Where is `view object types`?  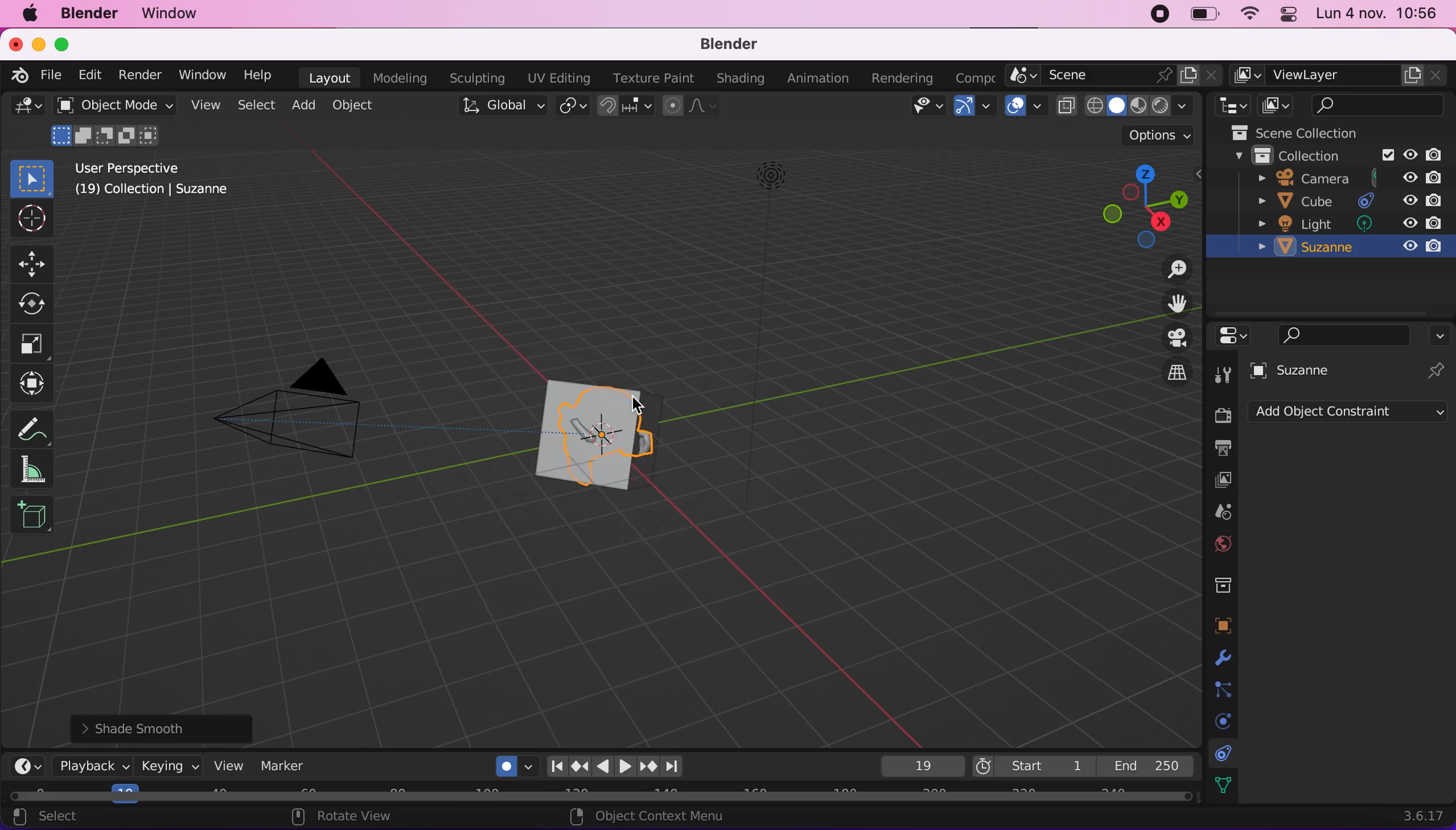 view object types is located at coordinates (924, 108).